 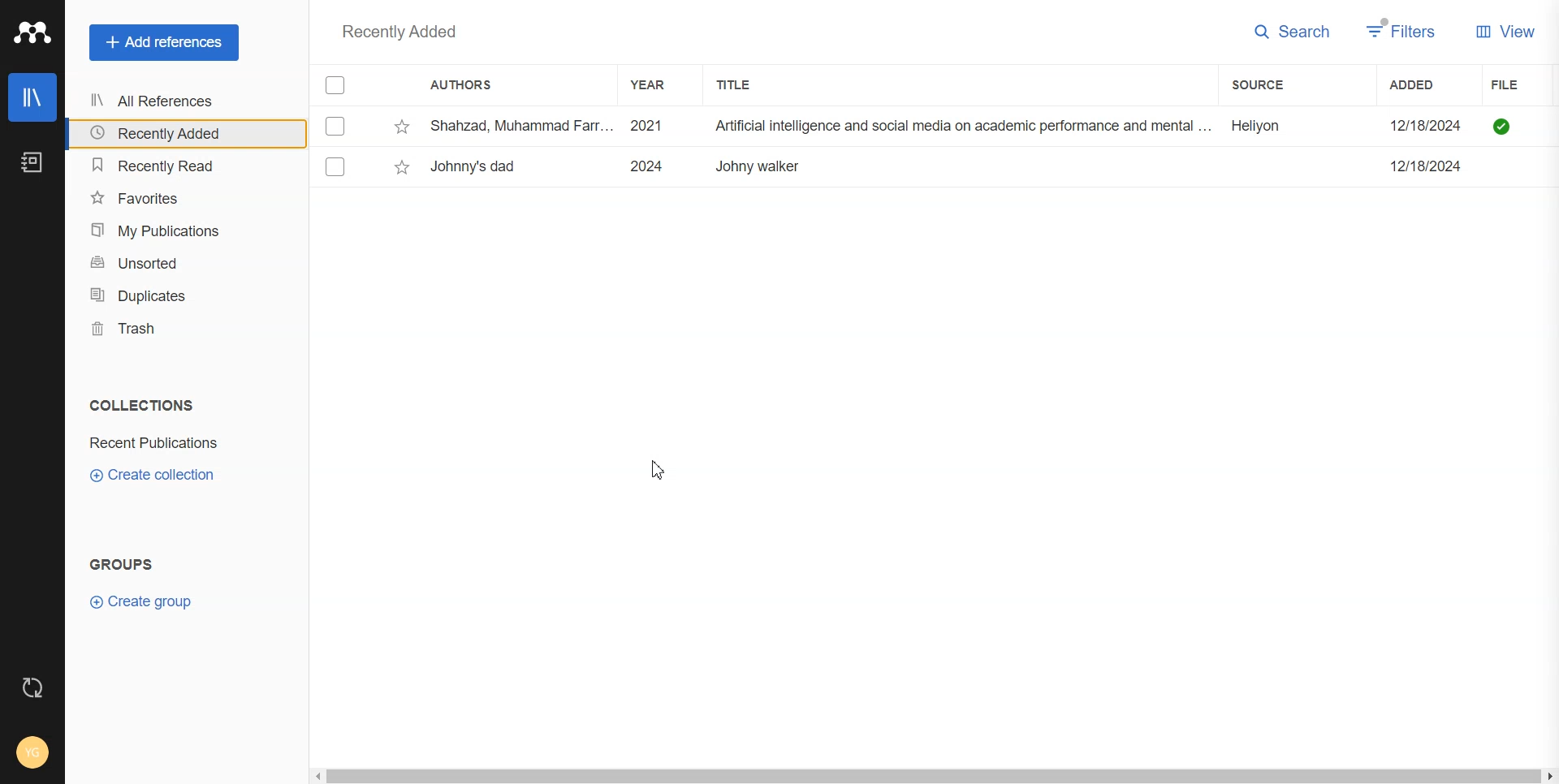 I want to click on @ Create collection, so click(x=162, y=476).